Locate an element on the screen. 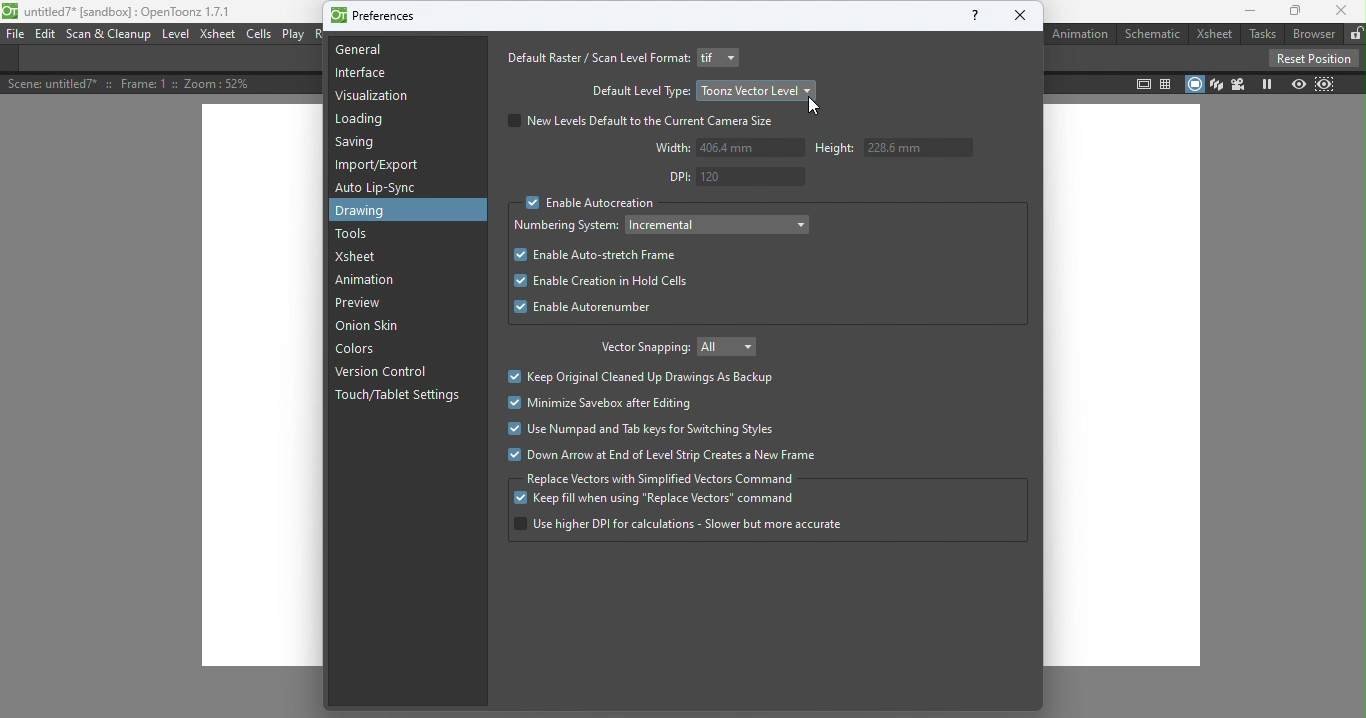 Image resolution: width=1366 pixels, height=718 pixels. 3D view is located at coordinates (1215, 83).